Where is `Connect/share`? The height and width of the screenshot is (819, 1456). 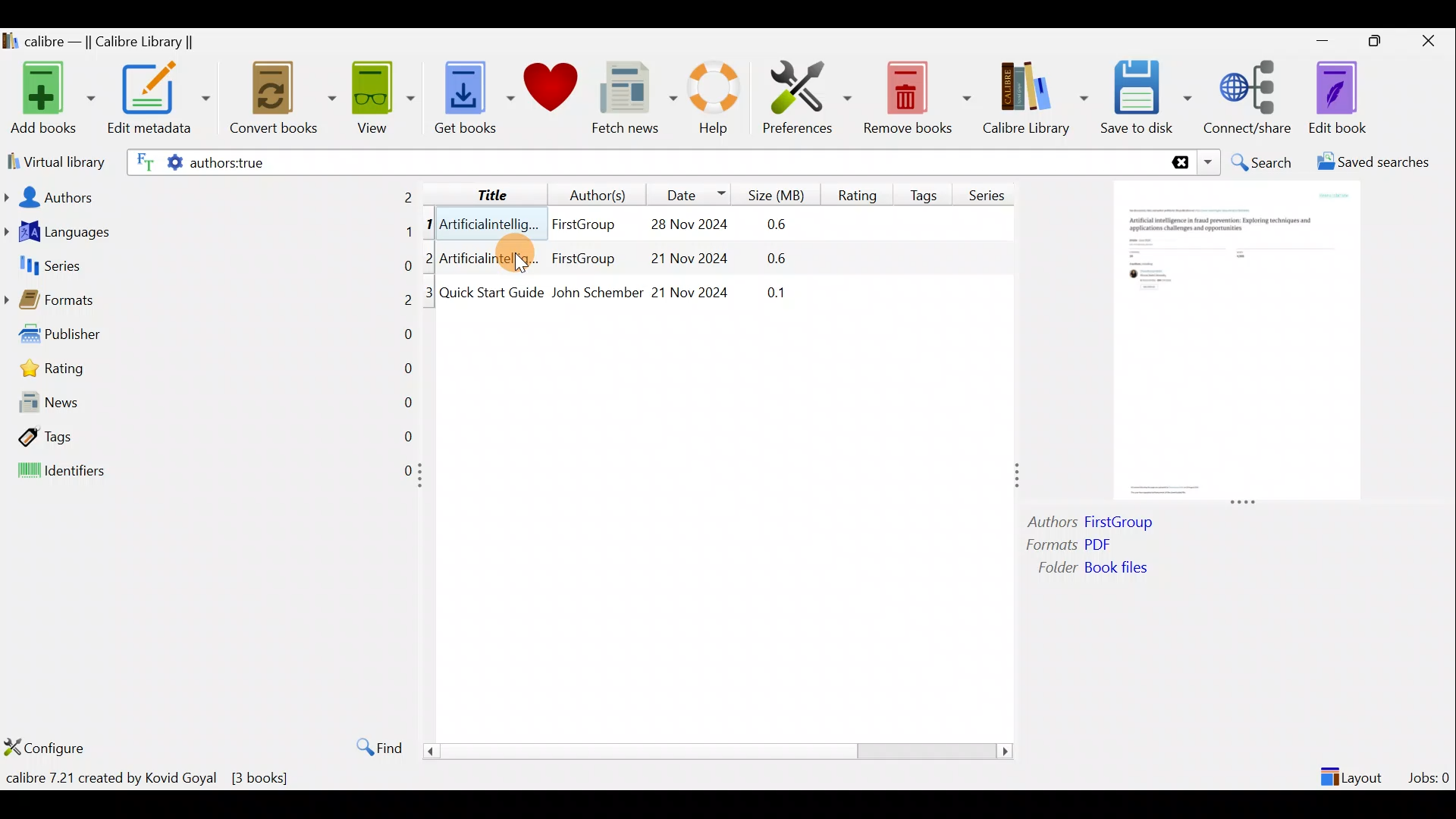 Connect/share is located at coordinates (1250, 95).